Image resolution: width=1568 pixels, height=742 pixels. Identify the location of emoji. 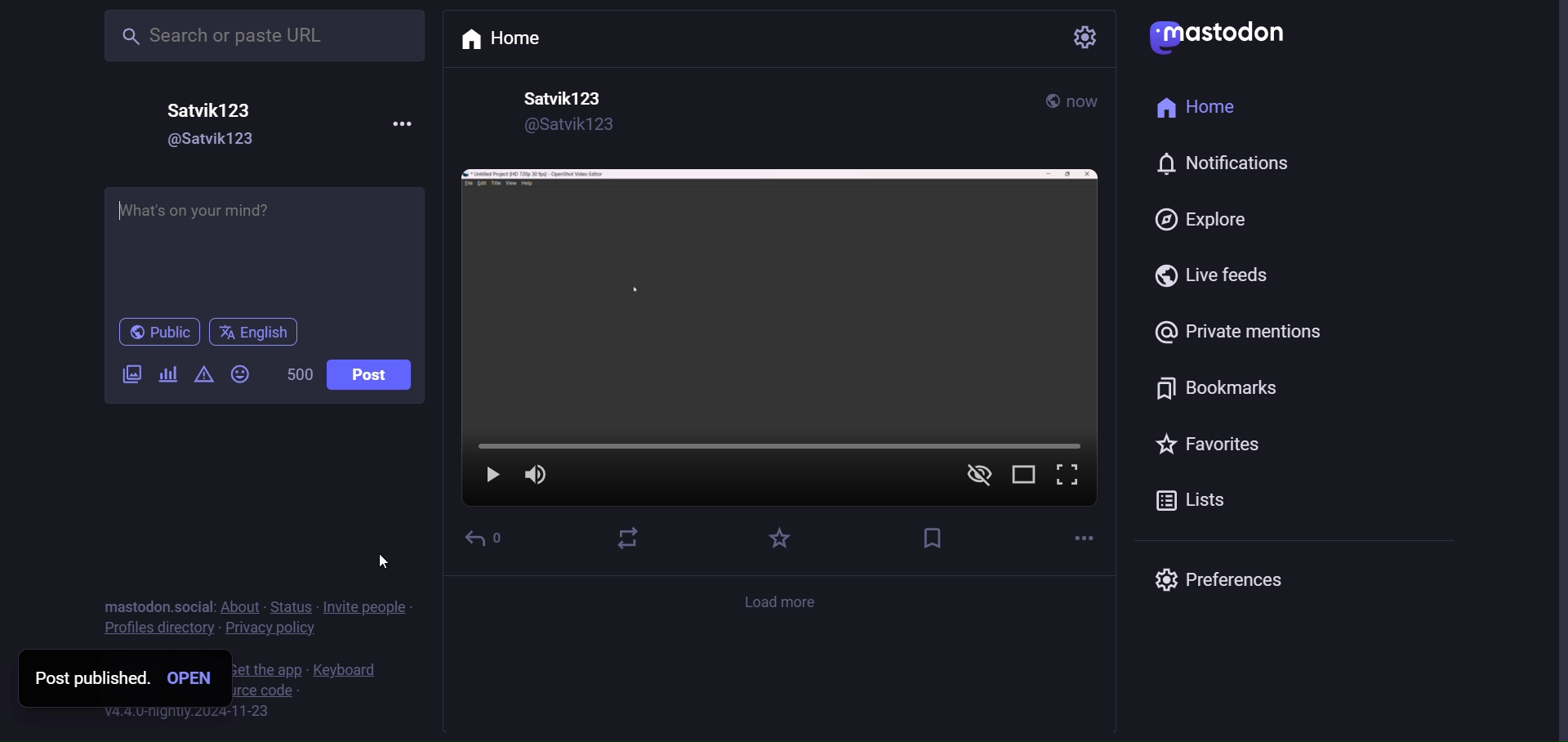
(242, 373).